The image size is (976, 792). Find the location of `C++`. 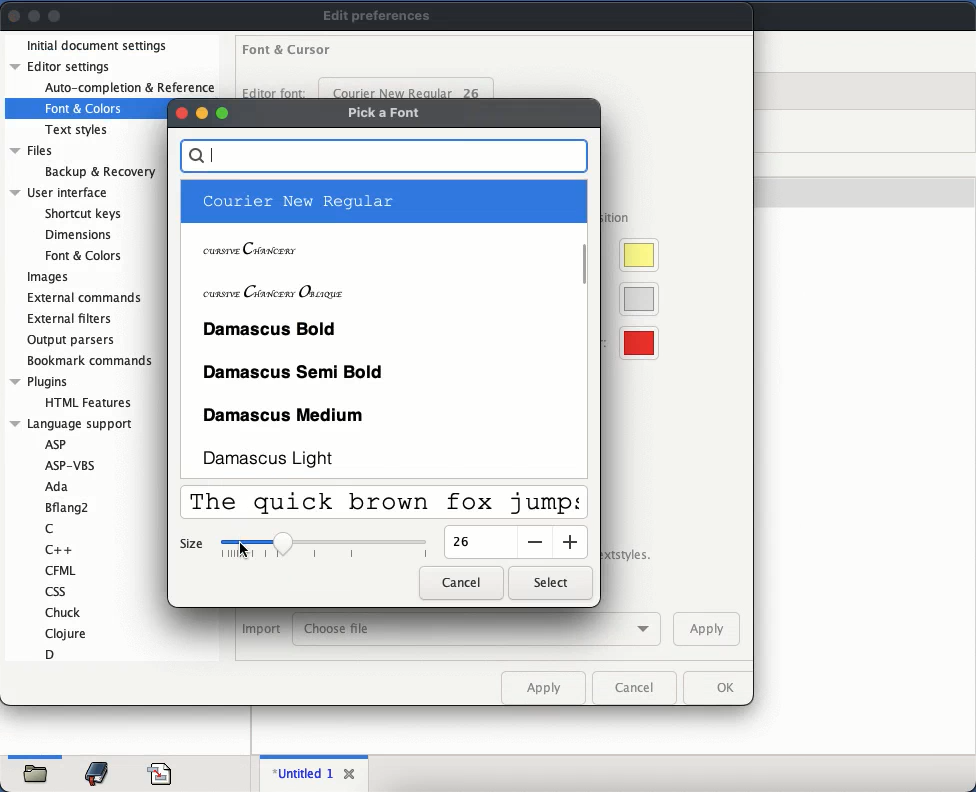

C++ is located at coordinates (61, 549).